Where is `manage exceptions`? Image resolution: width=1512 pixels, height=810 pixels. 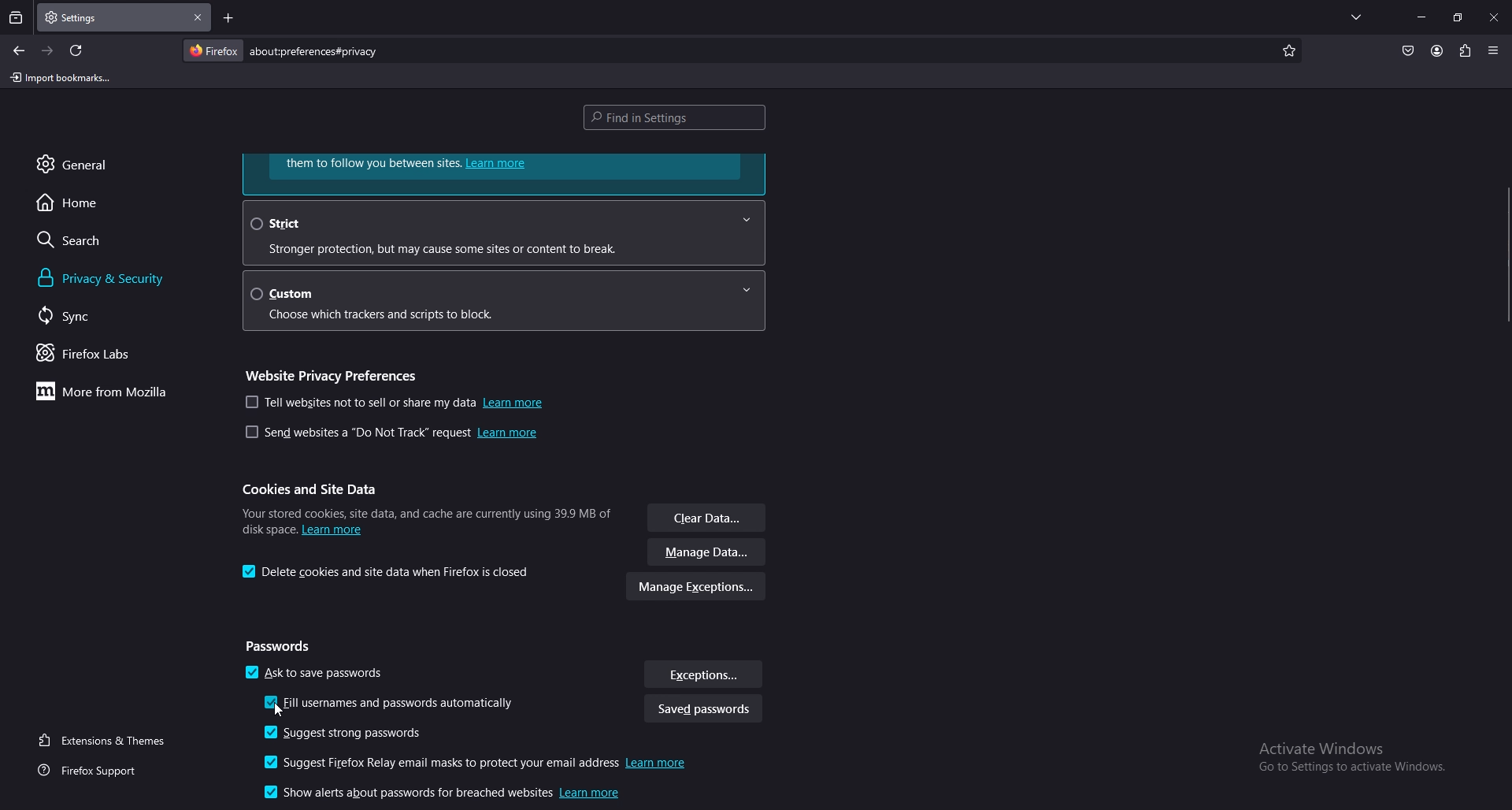
manage exceptions is located at coordinates (697, 589).